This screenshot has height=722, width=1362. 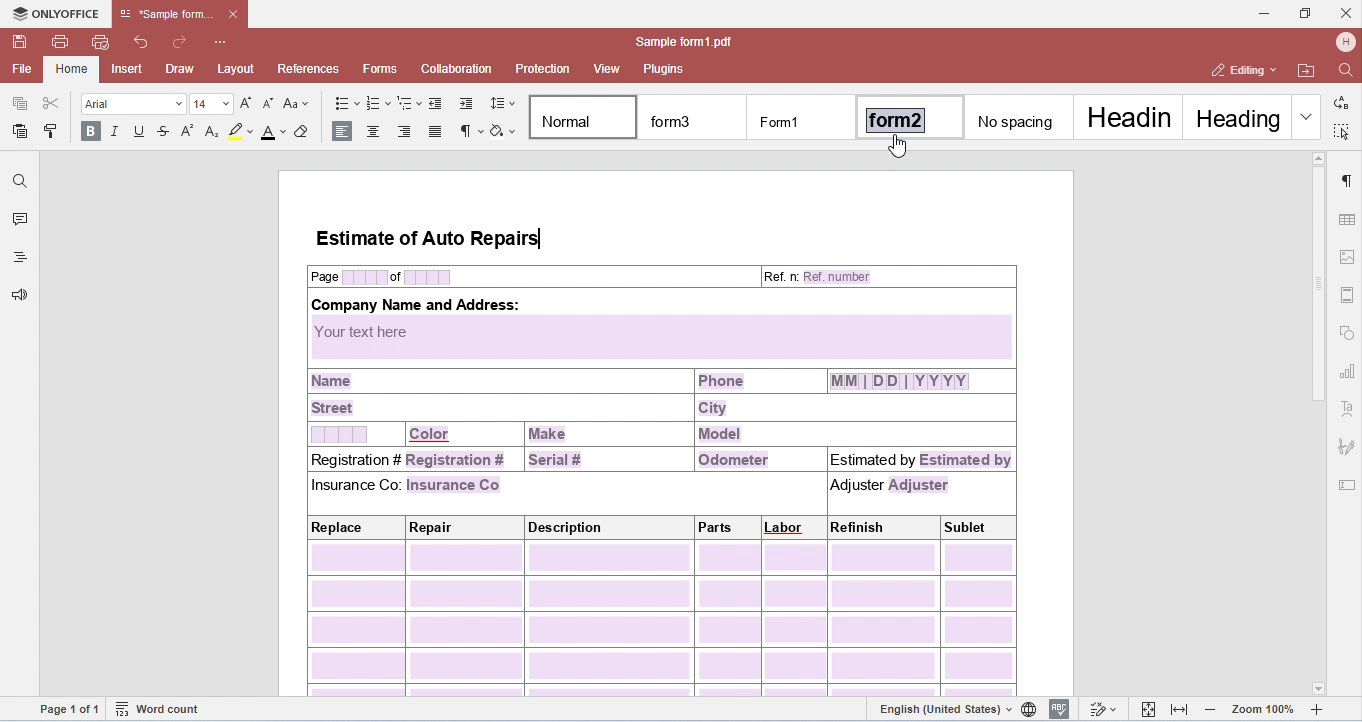 I want to click on decrement font size, so click(x=269, y=104).